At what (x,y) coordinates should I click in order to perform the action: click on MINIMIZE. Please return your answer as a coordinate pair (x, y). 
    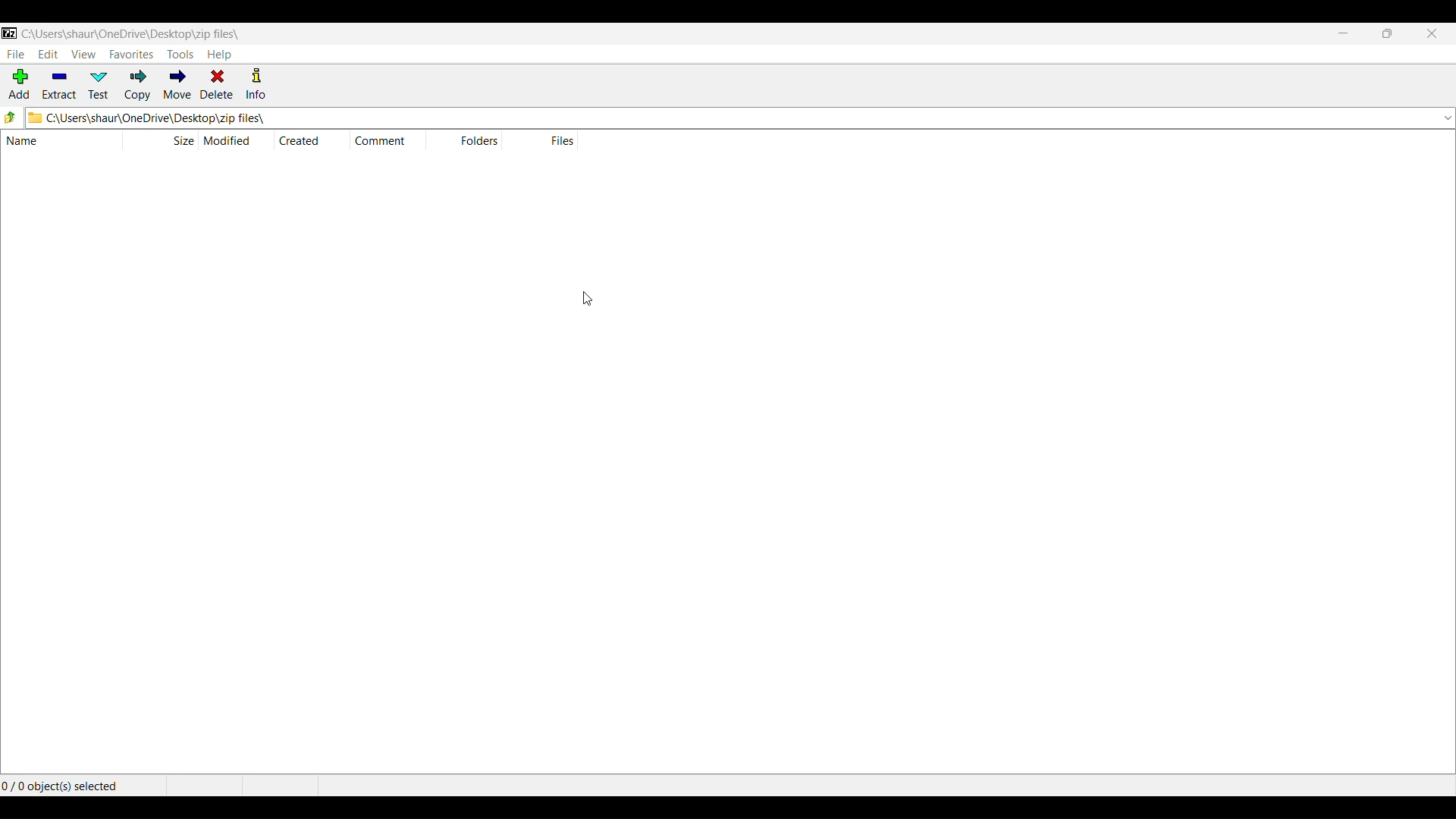
    Looking at the image, I should click on (1344, 35).